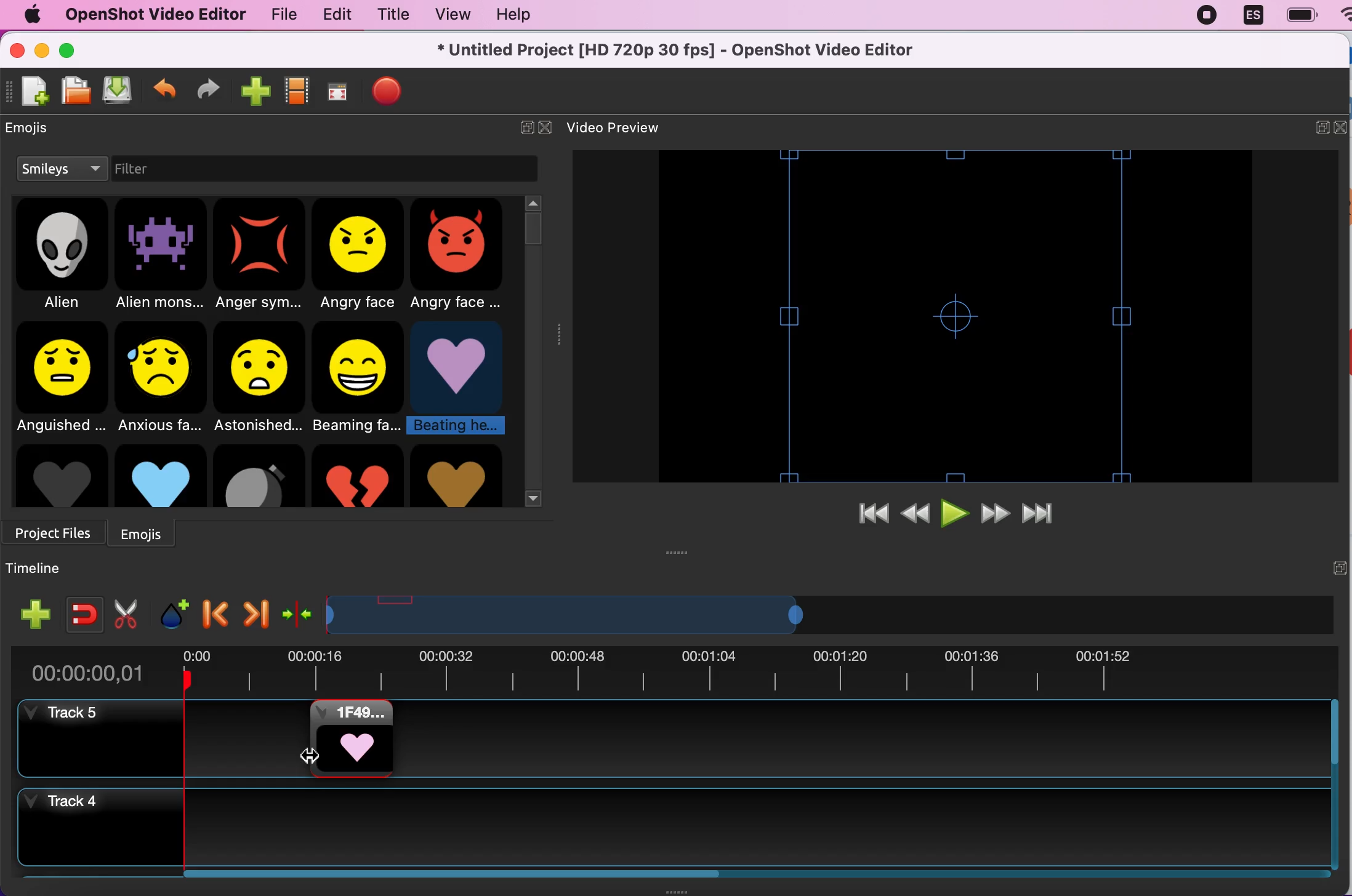 The height and width of the screenshot is (896, 1352). Describe the element at coordinates (40, 569) in the screenshot. I see `timeline` at that location.